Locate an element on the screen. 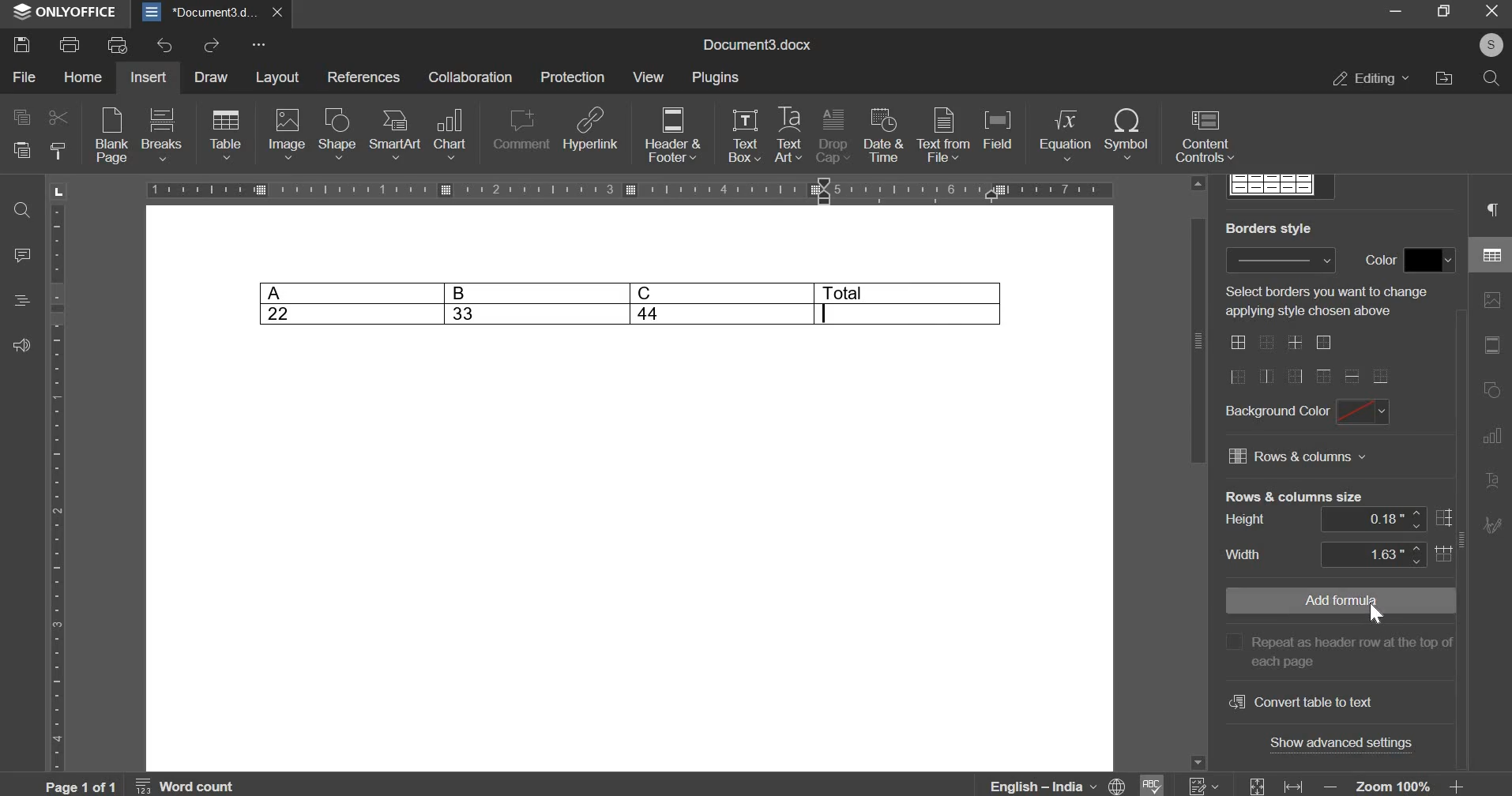 The height and width of the screenshot is (796, 1512). editing is located at coordinates (1373, 78).